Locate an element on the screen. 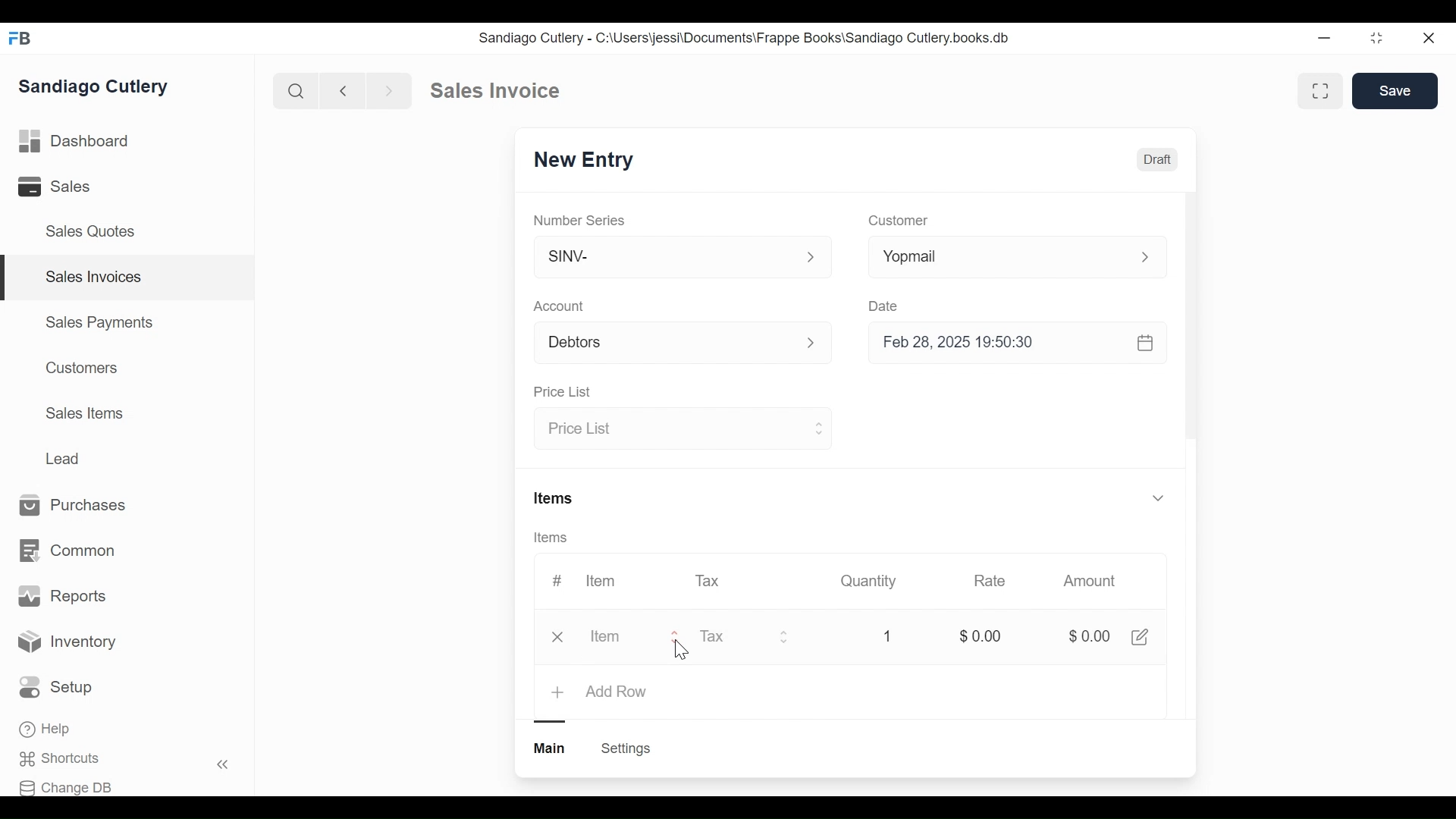  Save  is located at coordinates (1395, 91).